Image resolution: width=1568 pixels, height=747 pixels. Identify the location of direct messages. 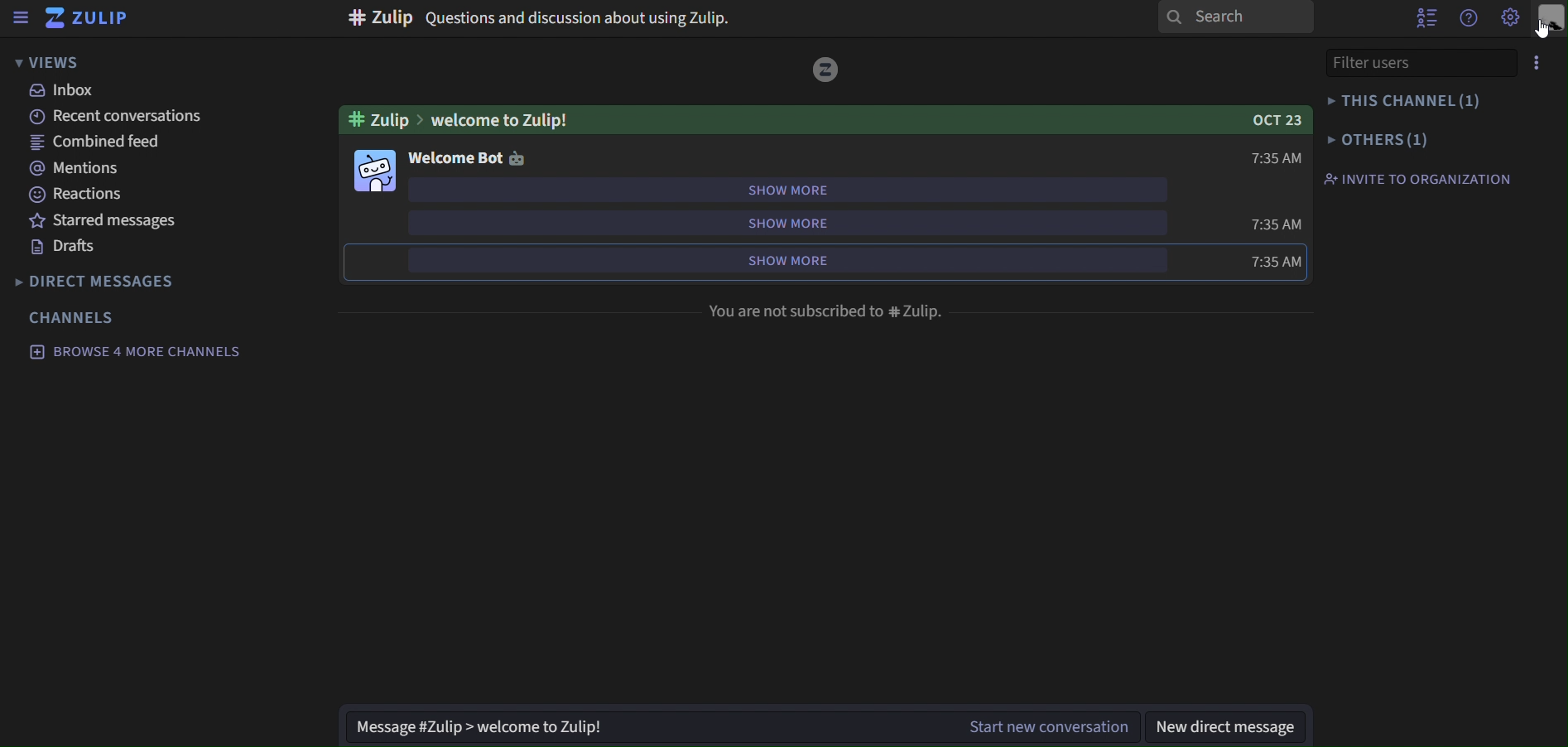
(107, 282).